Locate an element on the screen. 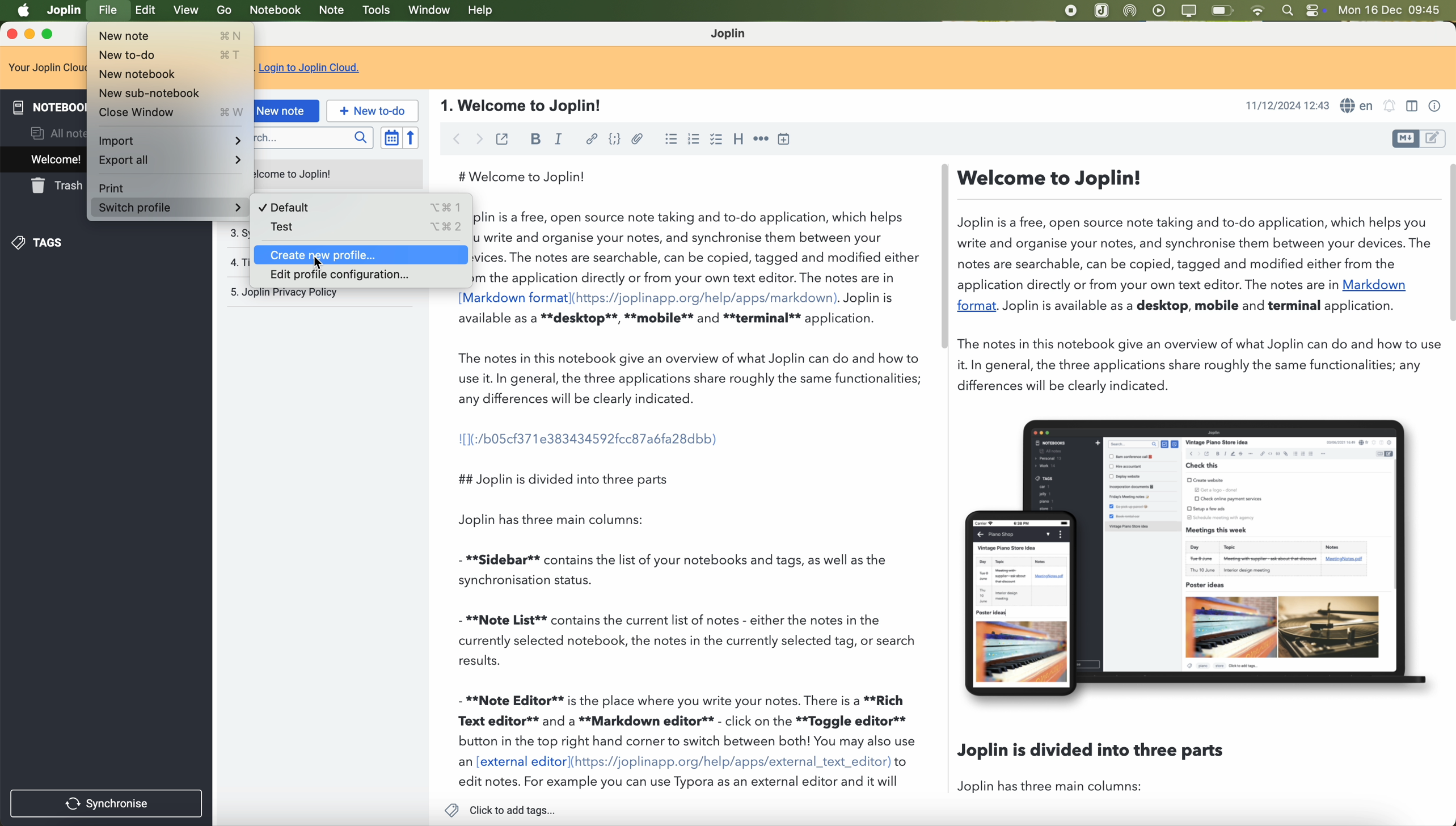  notebook is located at coordinates (275, 11).